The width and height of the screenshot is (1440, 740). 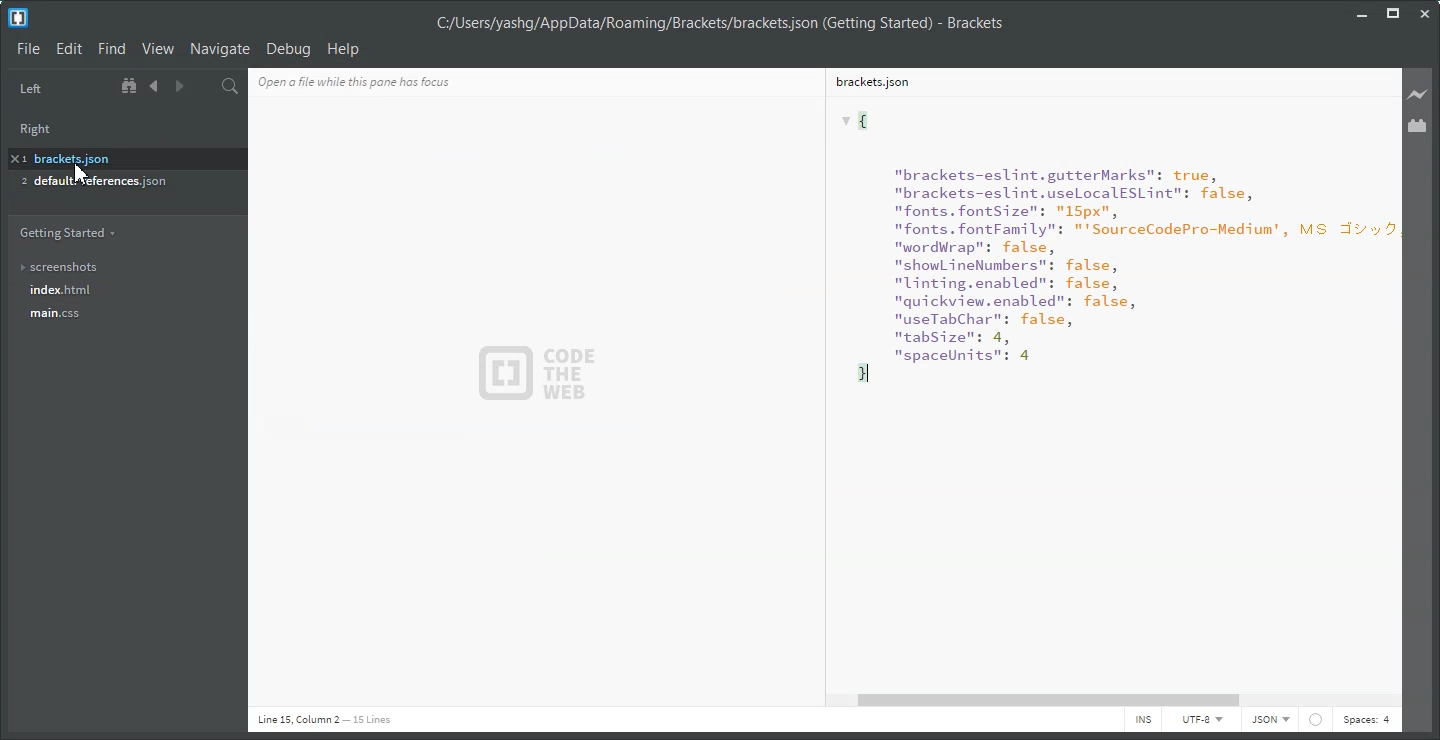 I want to click on Extension Manager, so click(x=1419, y=126).